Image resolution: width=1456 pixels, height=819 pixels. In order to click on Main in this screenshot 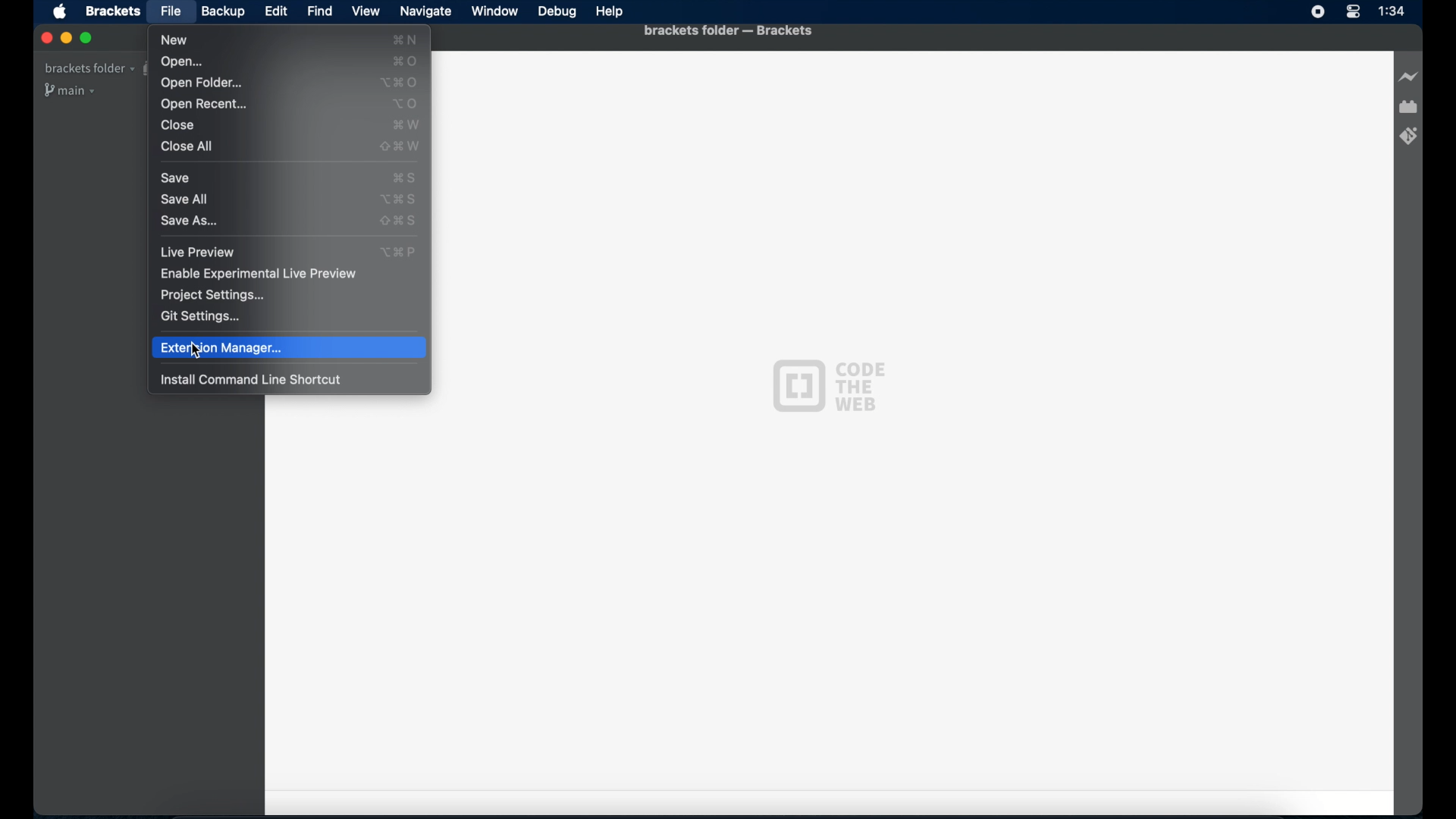, I will do `click(71, 90)`.